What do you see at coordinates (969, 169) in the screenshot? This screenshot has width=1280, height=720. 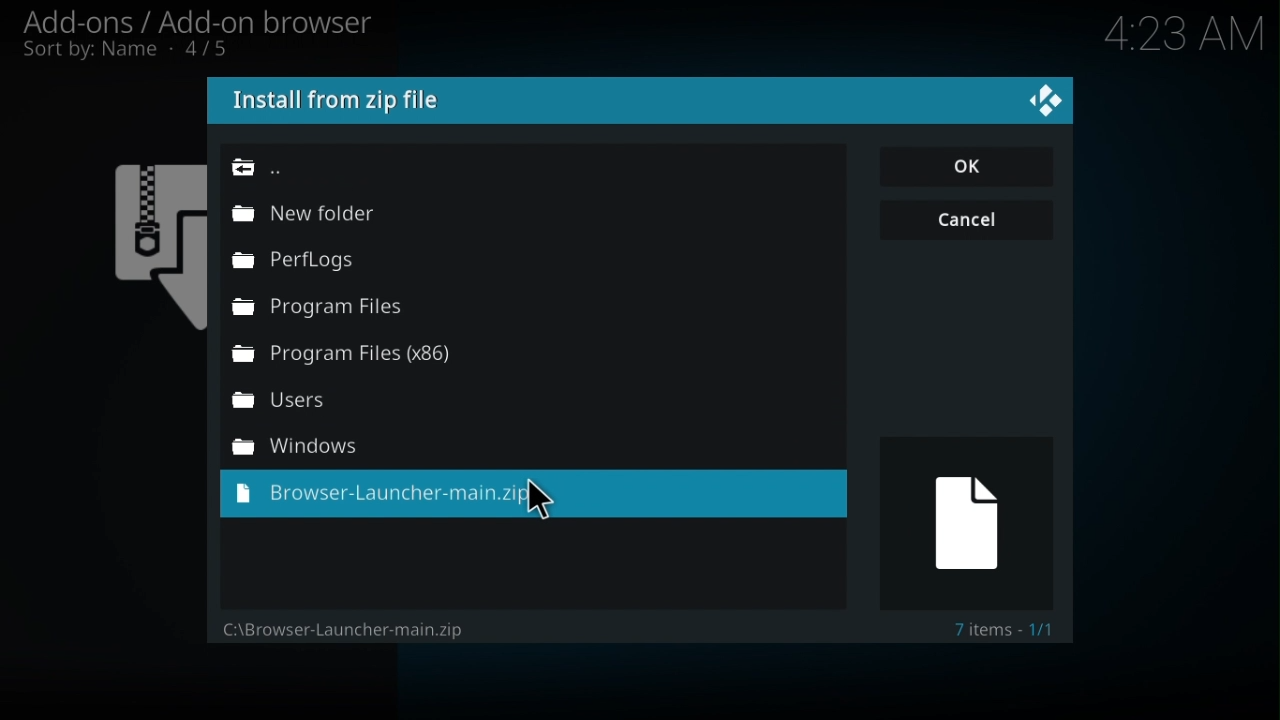 I see `ok` at bounding box center [969, 169].